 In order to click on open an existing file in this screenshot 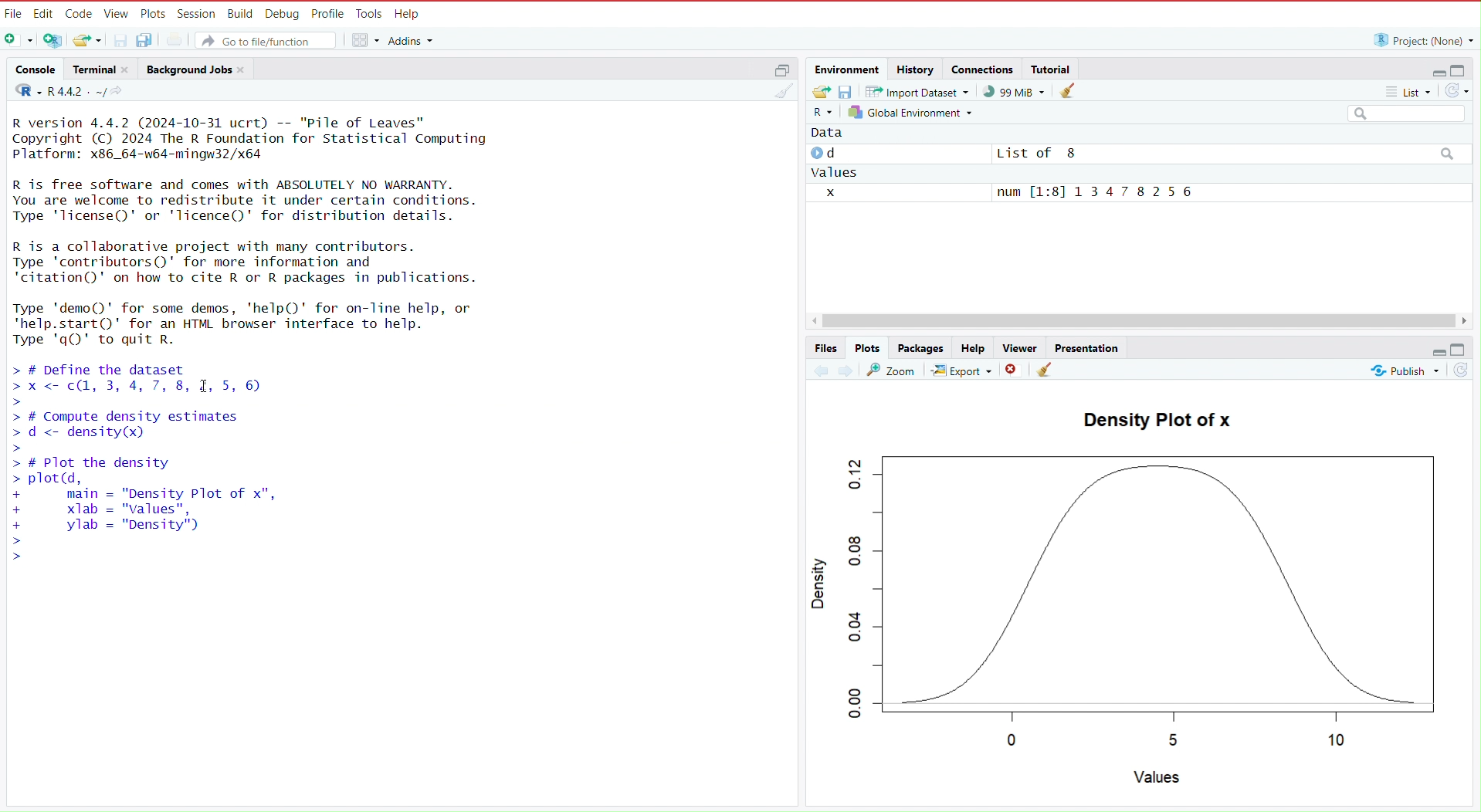, I will do `click(88, 41)`.